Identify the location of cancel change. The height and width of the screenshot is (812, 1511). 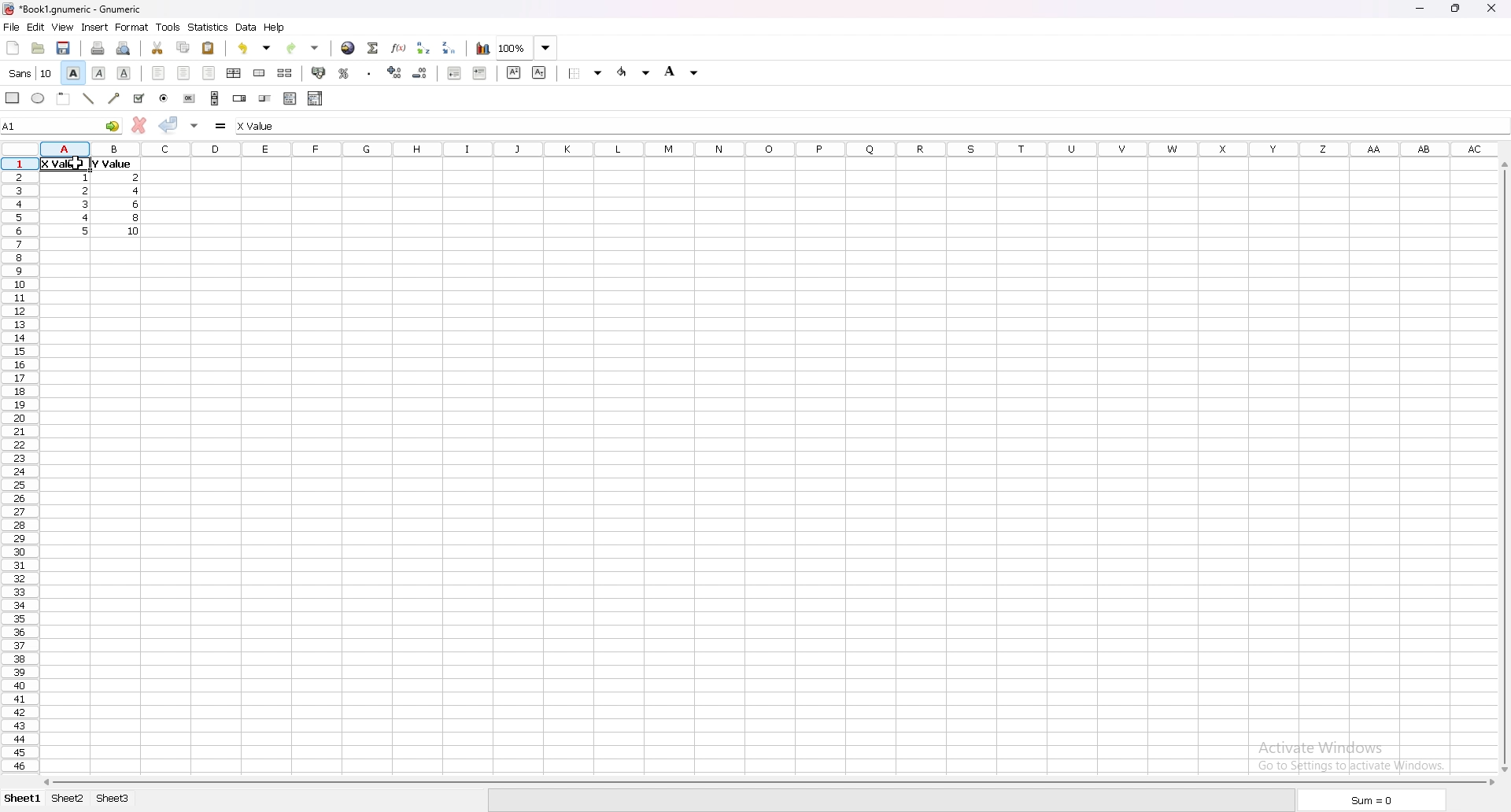
(140, 125).